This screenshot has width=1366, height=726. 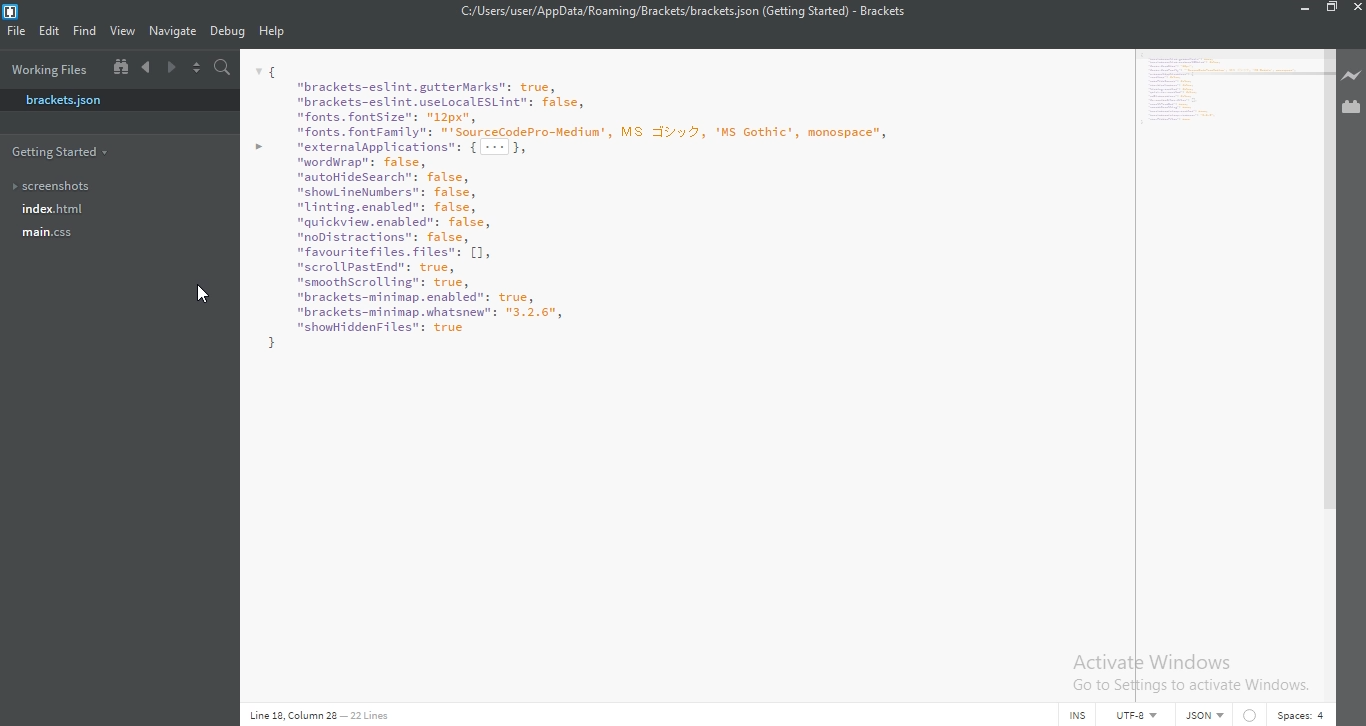 I want to click on Find in files, so click(x=222, y=69).